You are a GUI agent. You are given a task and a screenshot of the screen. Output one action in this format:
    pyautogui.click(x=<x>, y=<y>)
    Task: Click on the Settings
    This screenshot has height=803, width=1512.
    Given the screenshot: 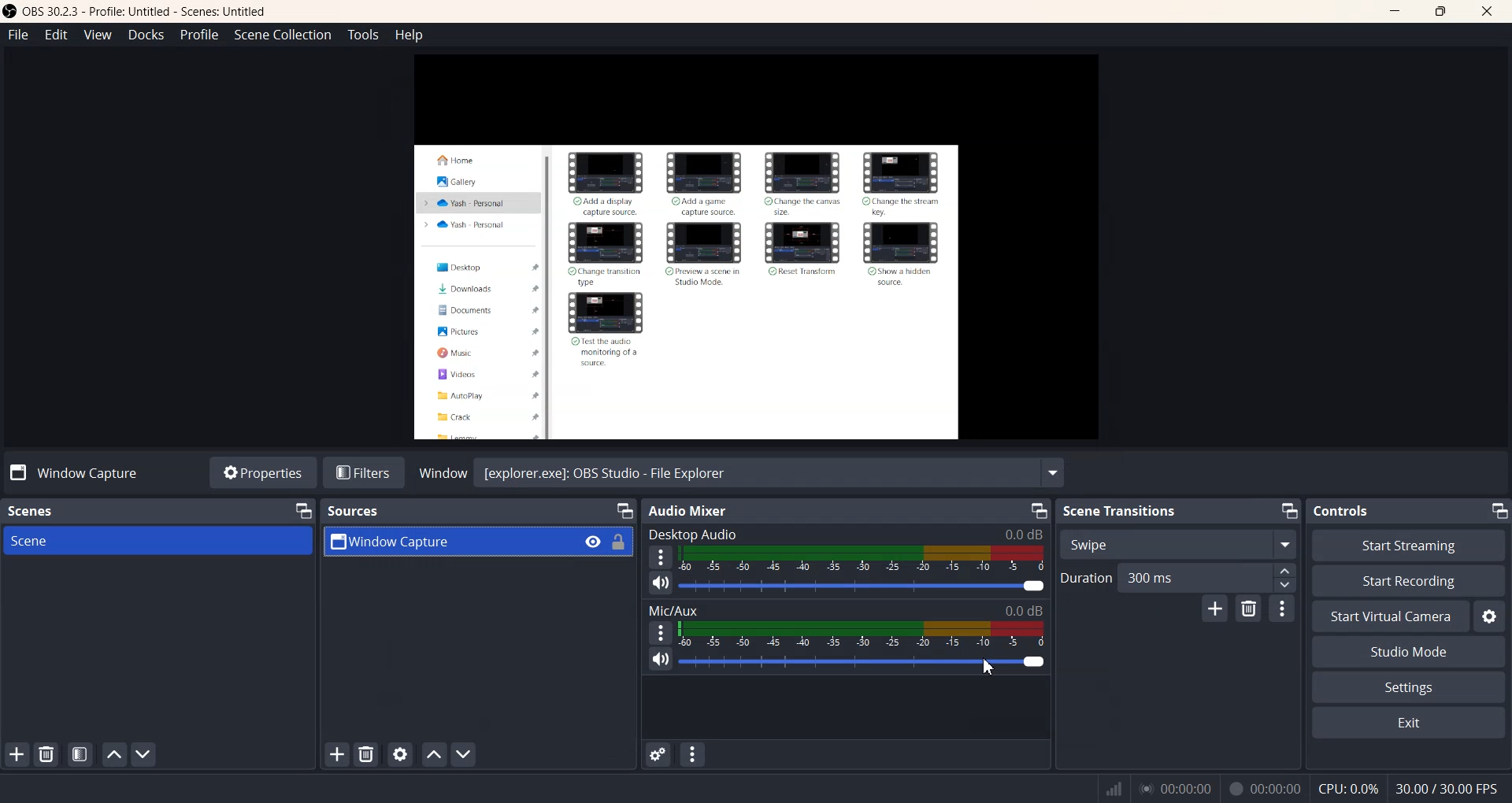 What is the action you would take?
    pyautogui.click(x=1408, y=688)
    